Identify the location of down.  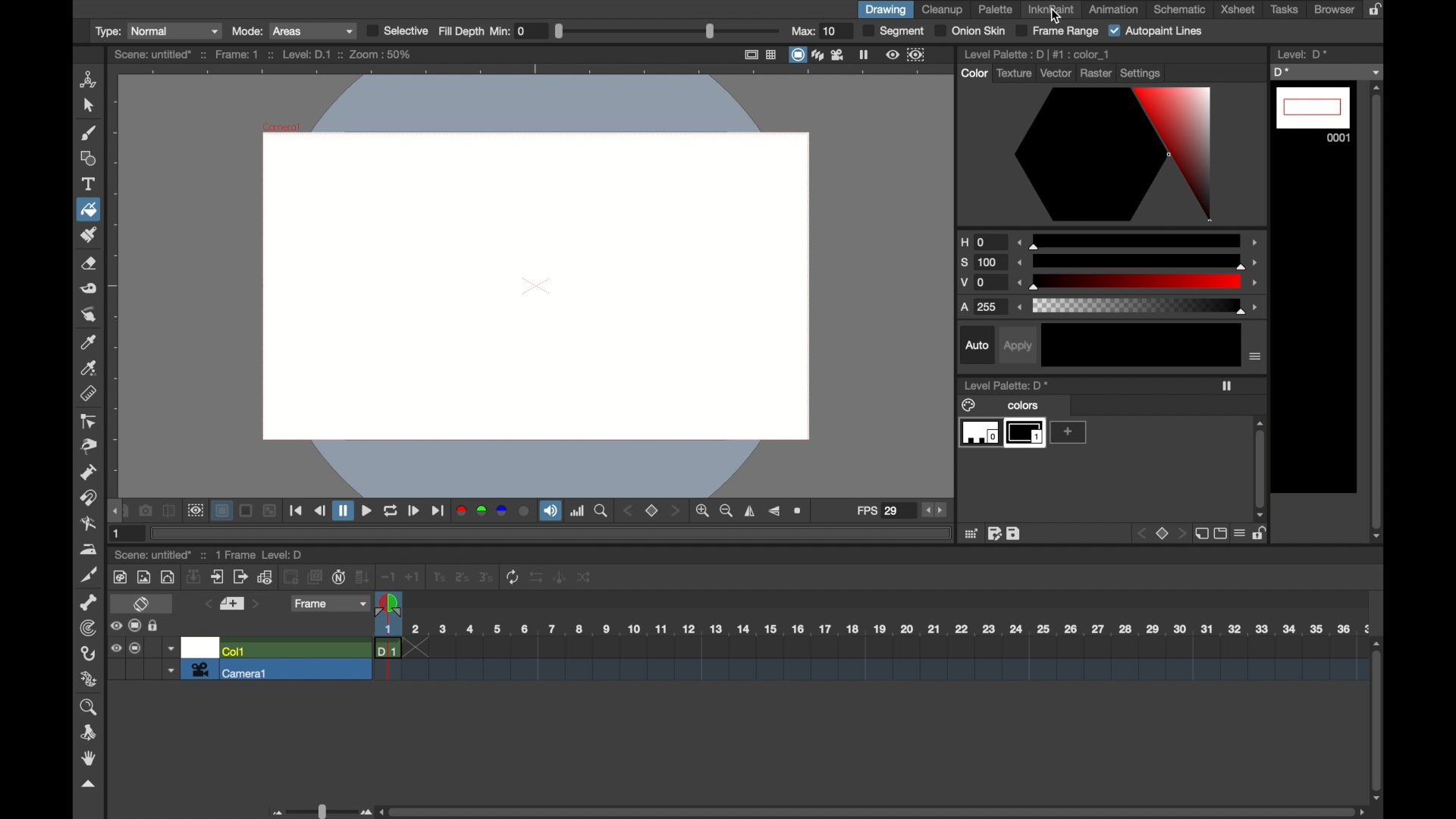
(362, 576).